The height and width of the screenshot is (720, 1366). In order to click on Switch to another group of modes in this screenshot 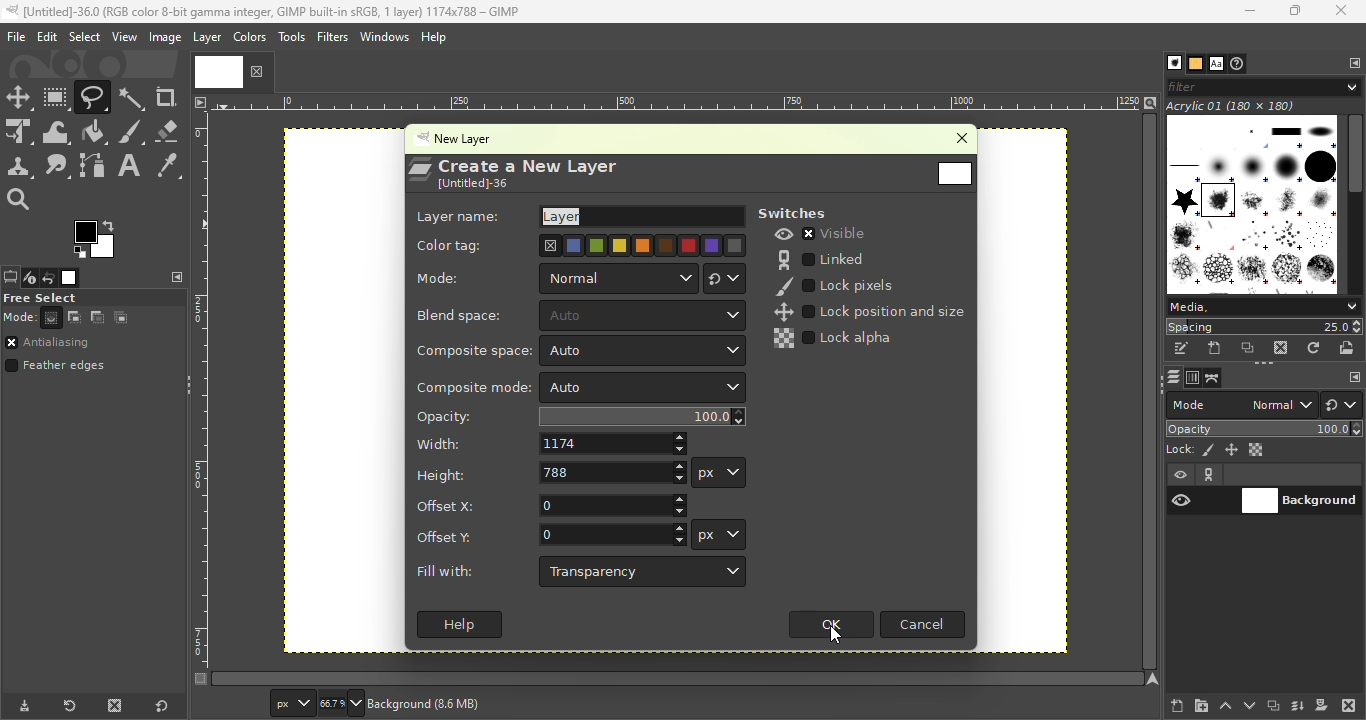, I will do `click(726, 277)`.